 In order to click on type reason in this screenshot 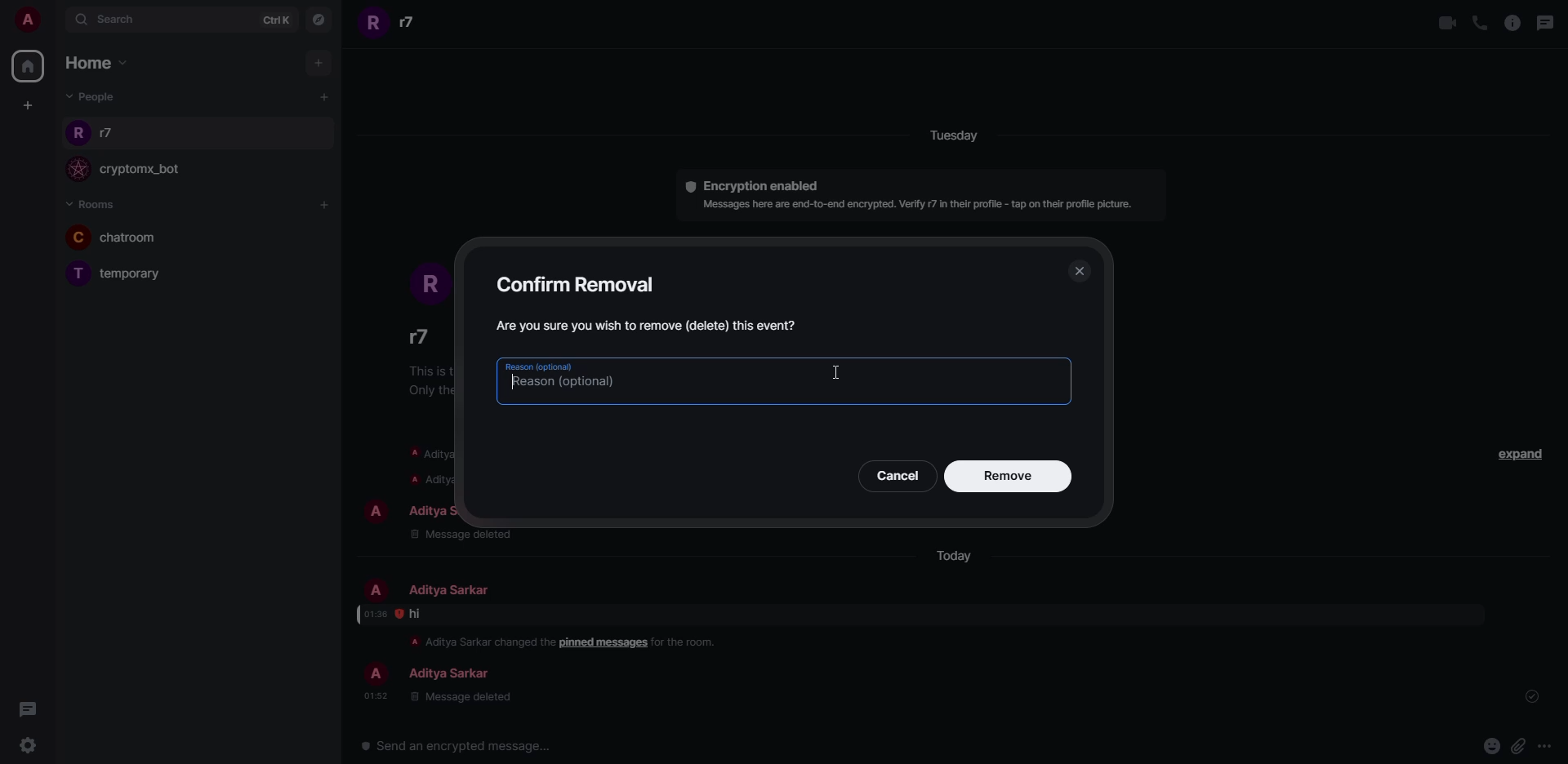, I will do `click(576, 385)`.